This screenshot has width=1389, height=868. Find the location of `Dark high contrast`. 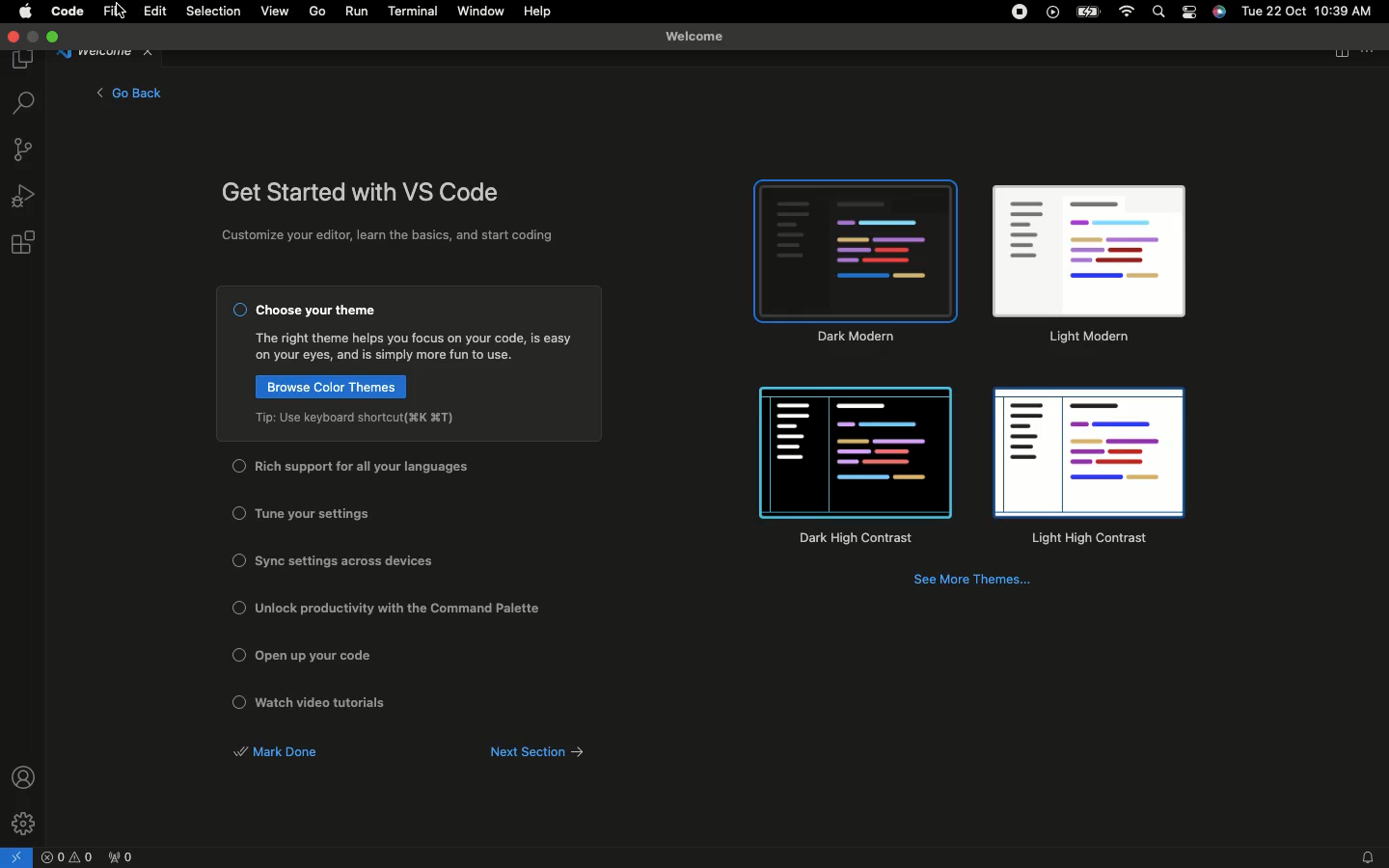

Dark high contrast is located at coordinates (857, 468).